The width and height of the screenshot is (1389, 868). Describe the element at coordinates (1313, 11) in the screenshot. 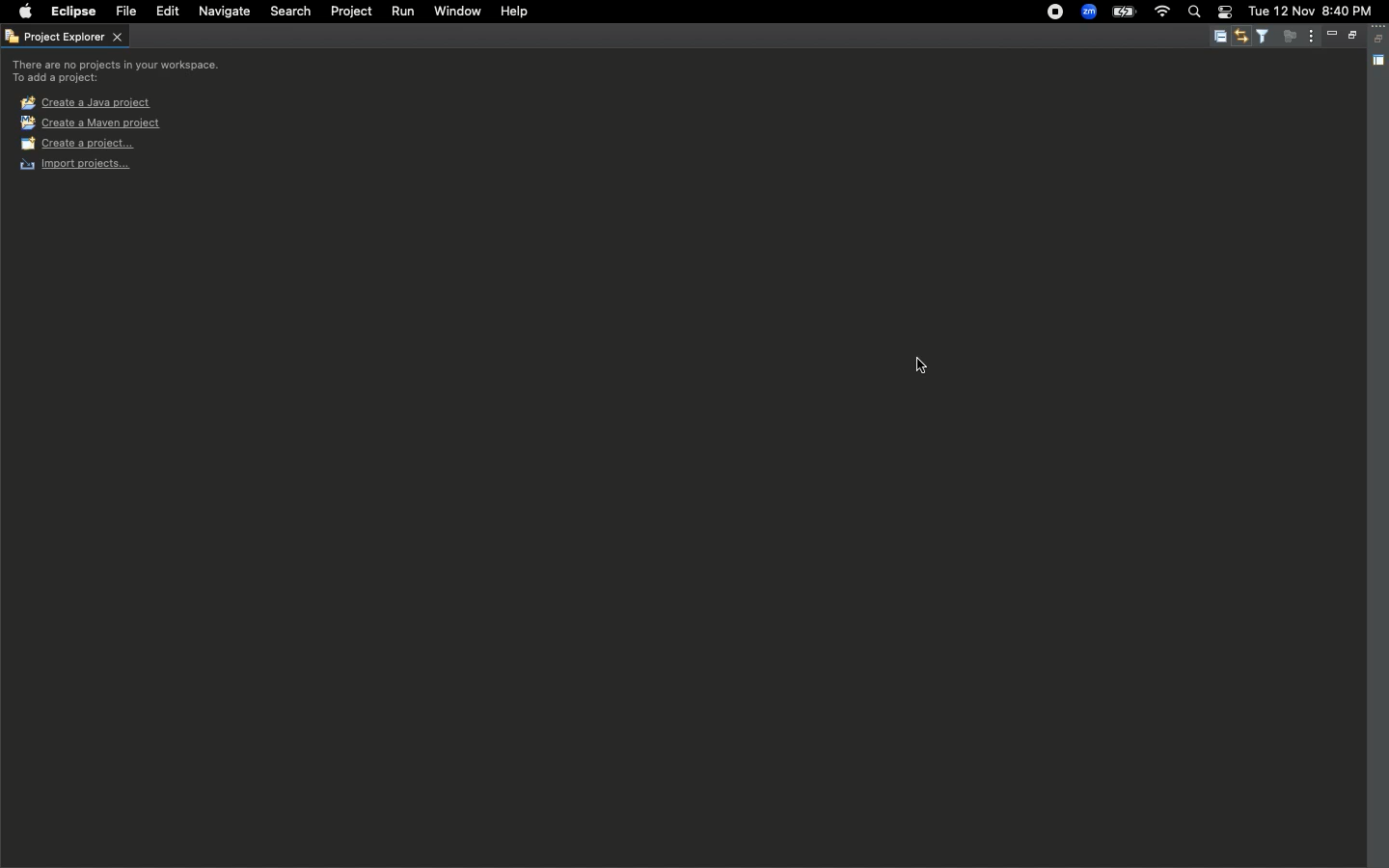

I see `tue 12 nov 8:40 pm ` at that location.